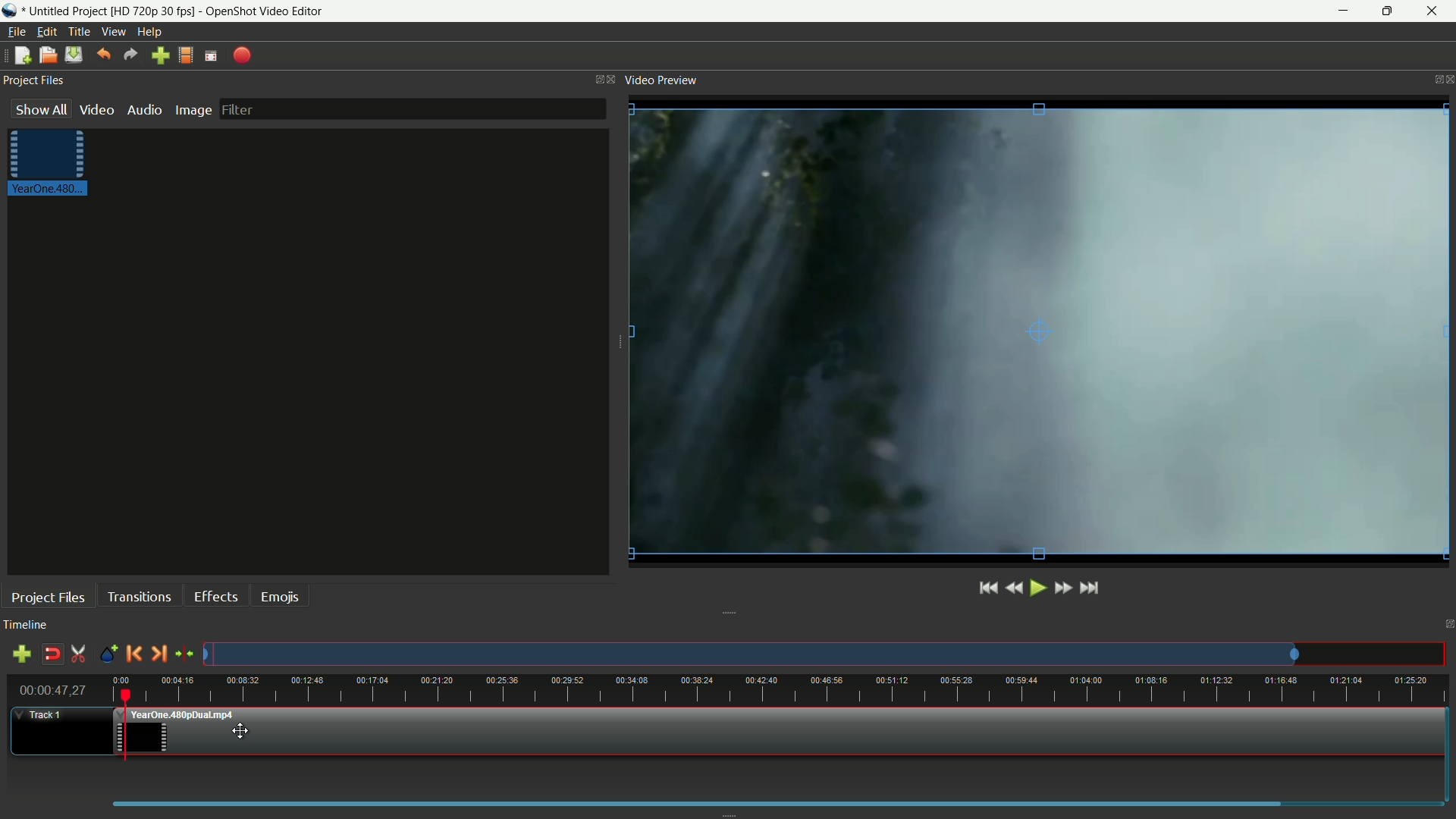  Describe the element at coordinates (51, 690) in the screenshot. I see `current time` at that location.